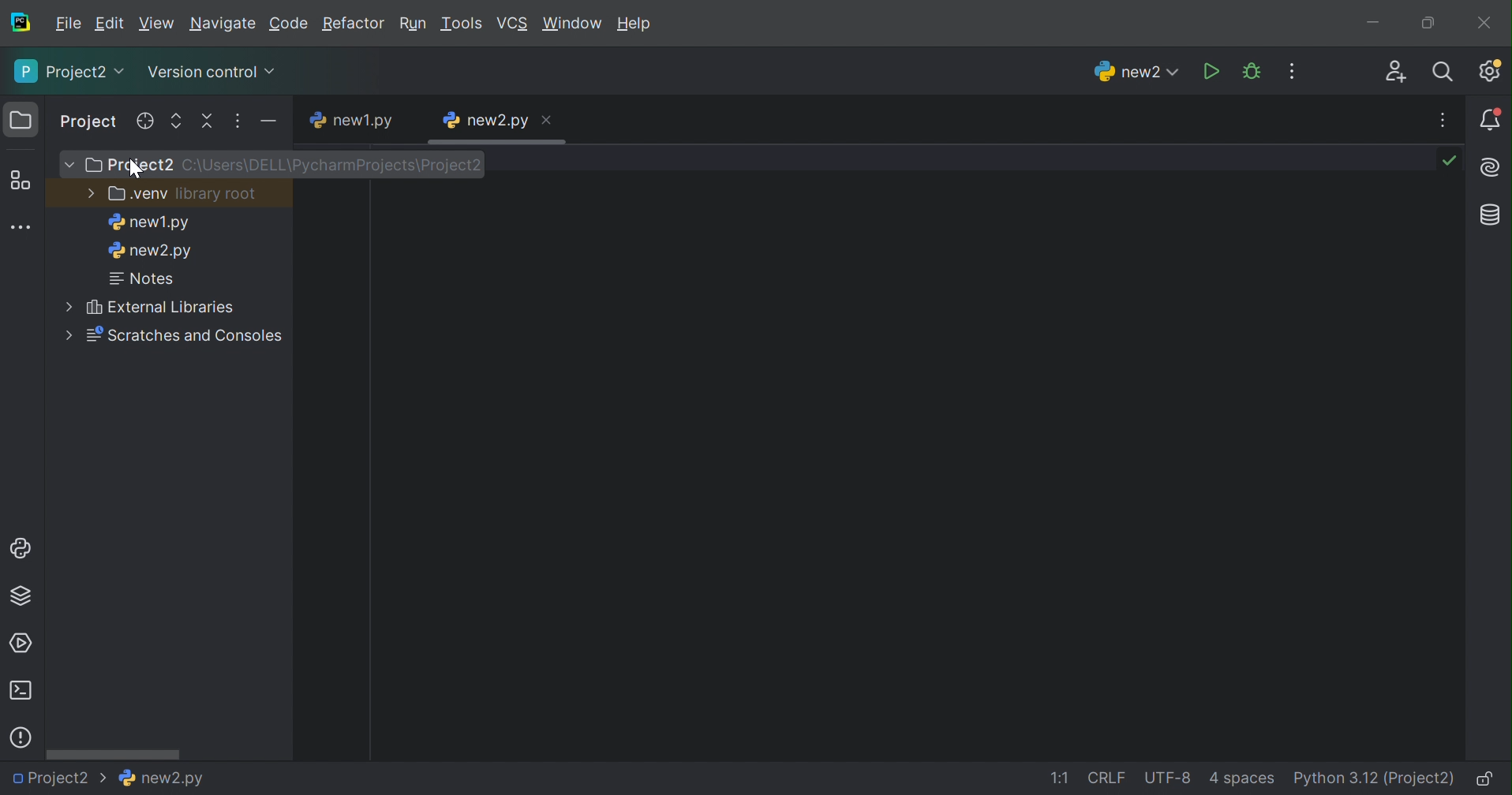 This screenshot has height=795, width=1512. What do you see at coordinates (1493, 216) in the screenshot?
I see `Database` at bounding box center [1493, 216].